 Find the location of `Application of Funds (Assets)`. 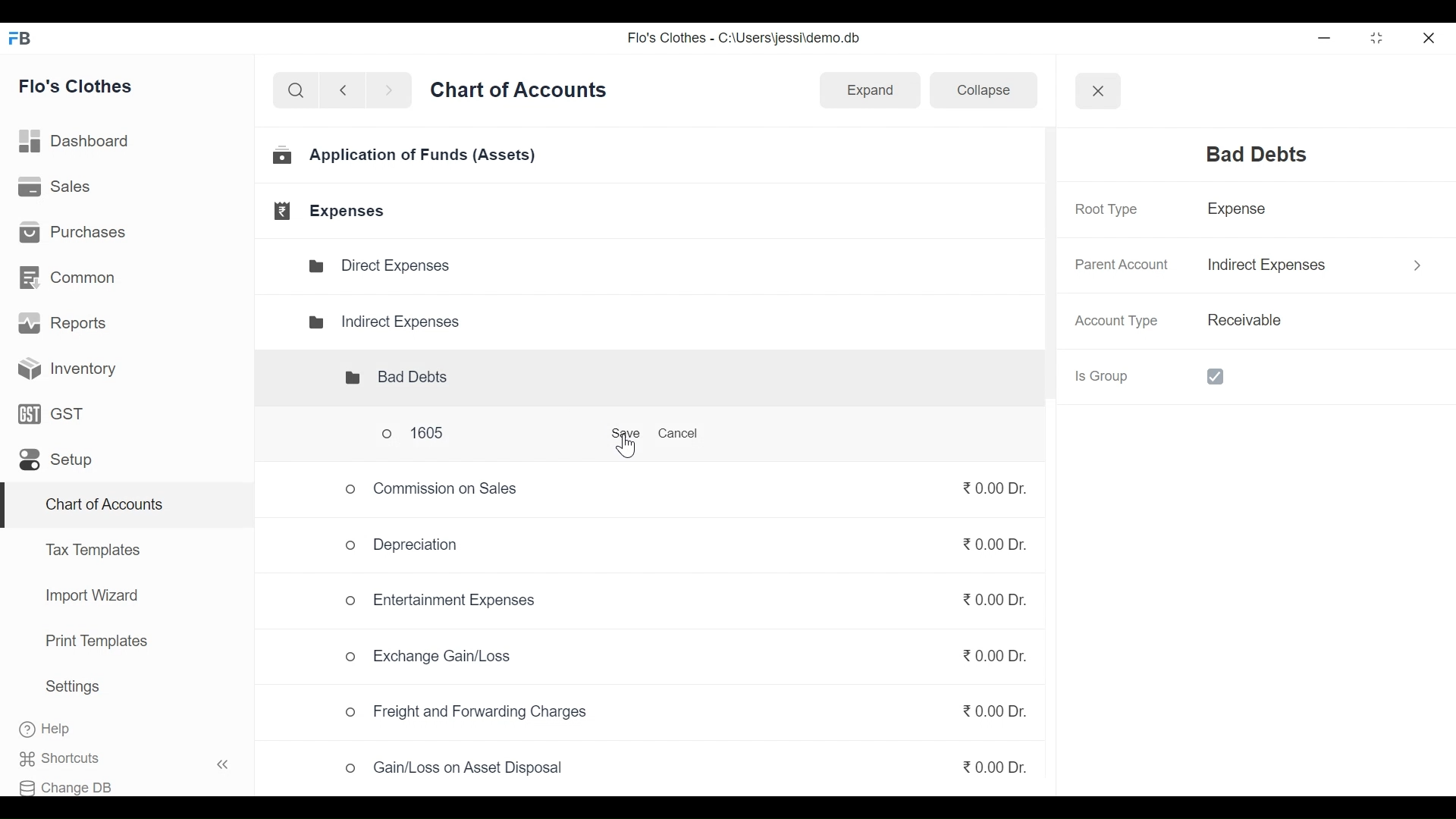

Application of Funds (Assets) is located at coordinates (406, 158).